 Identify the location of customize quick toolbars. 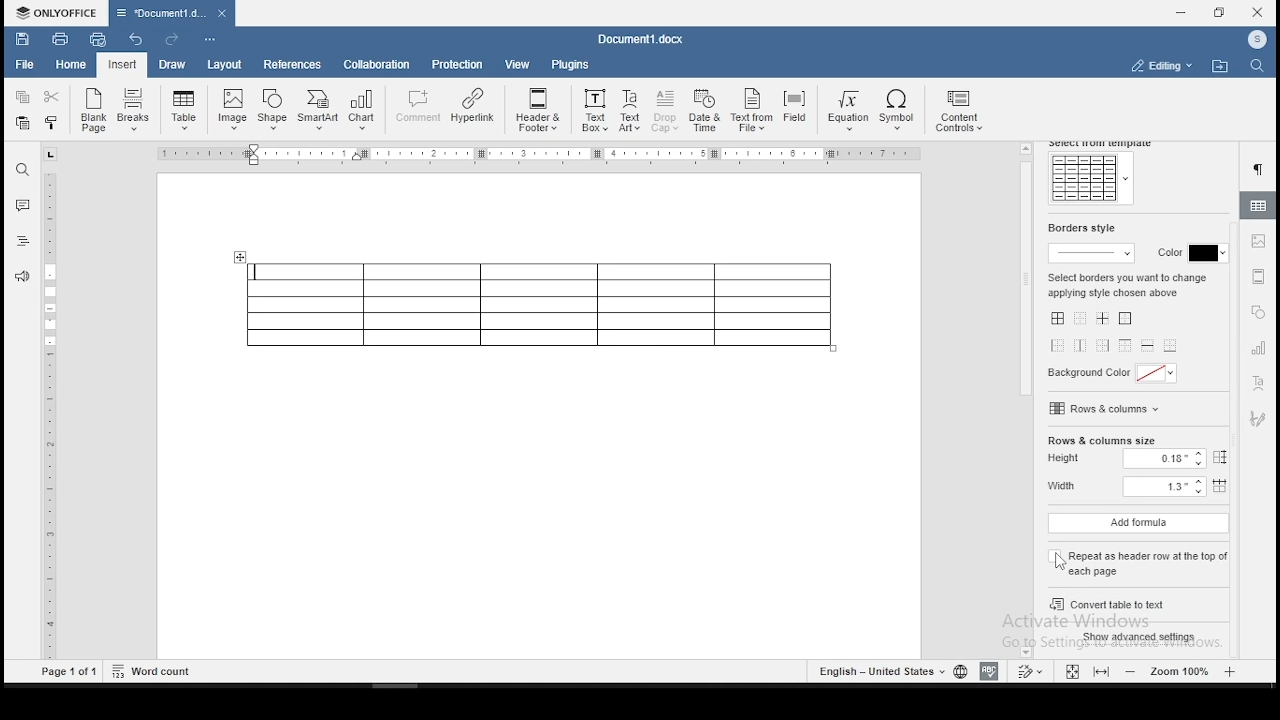
(210, 41).